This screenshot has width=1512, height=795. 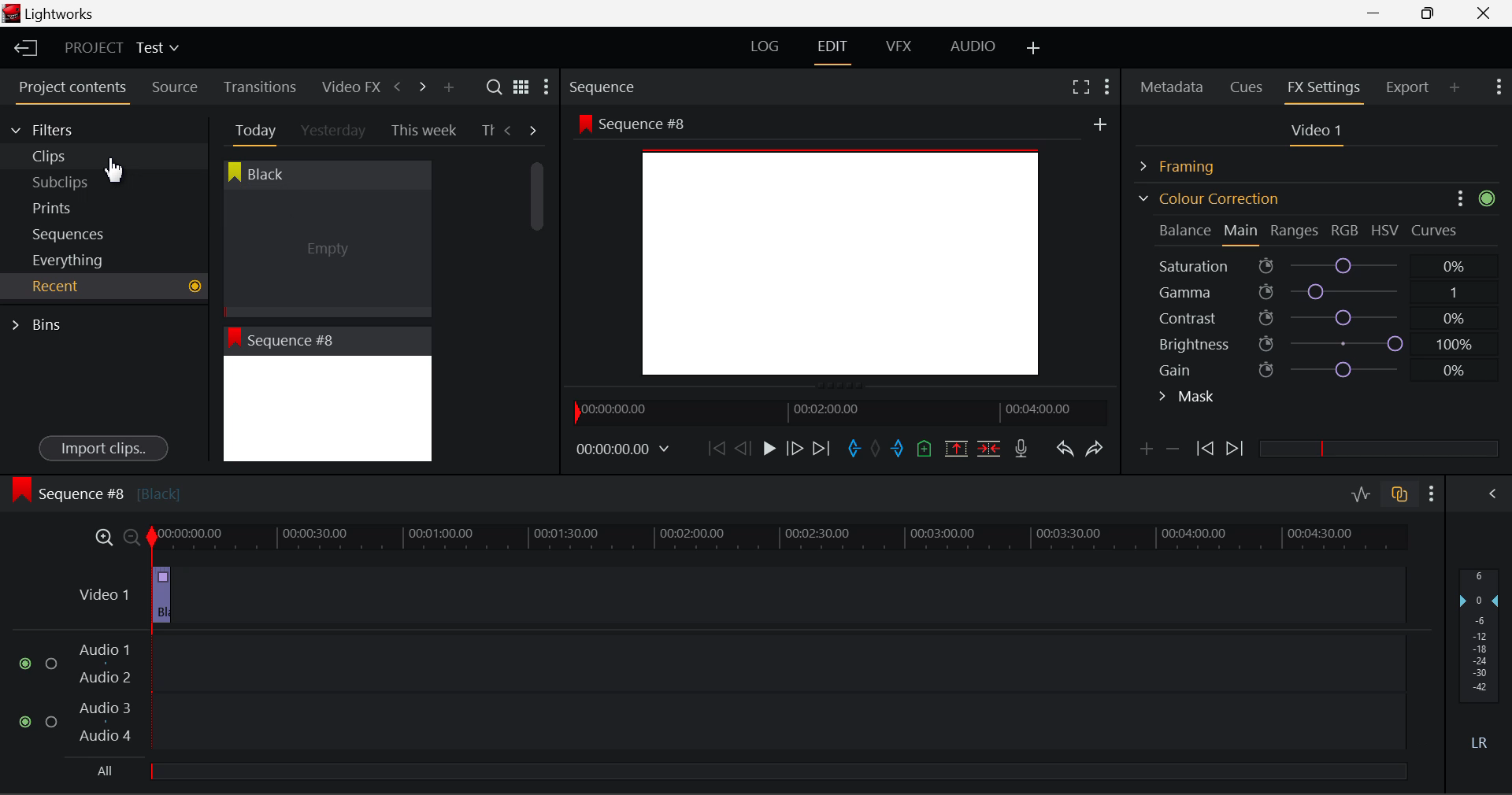 What do you see at coordinates (1400, 493) in the screenshot?
I see `Toggle audio track sync` at bounding box center [1400, 493].